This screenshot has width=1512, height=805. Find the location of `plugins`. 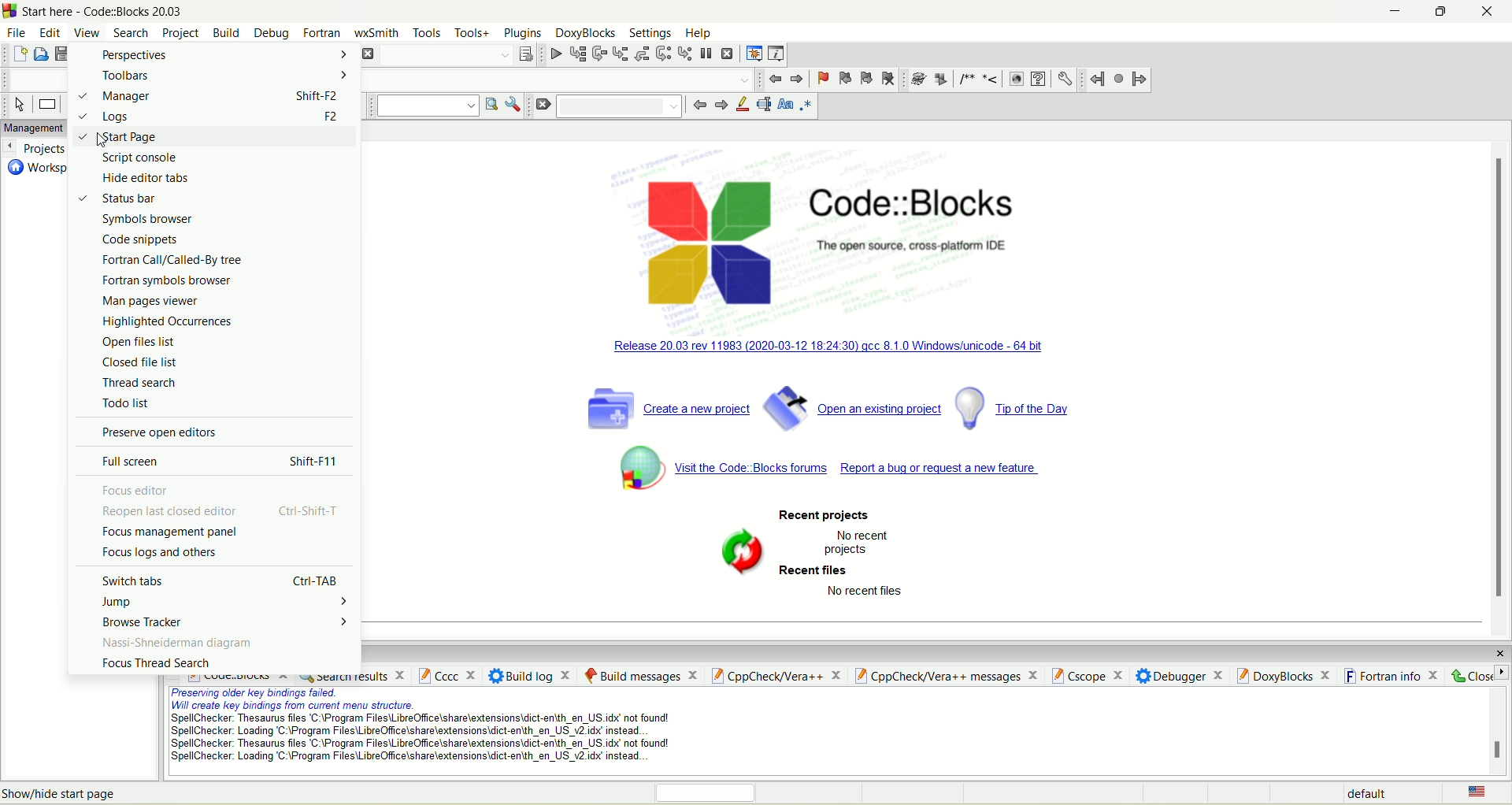

plugins is located at coordinates (524, 35).